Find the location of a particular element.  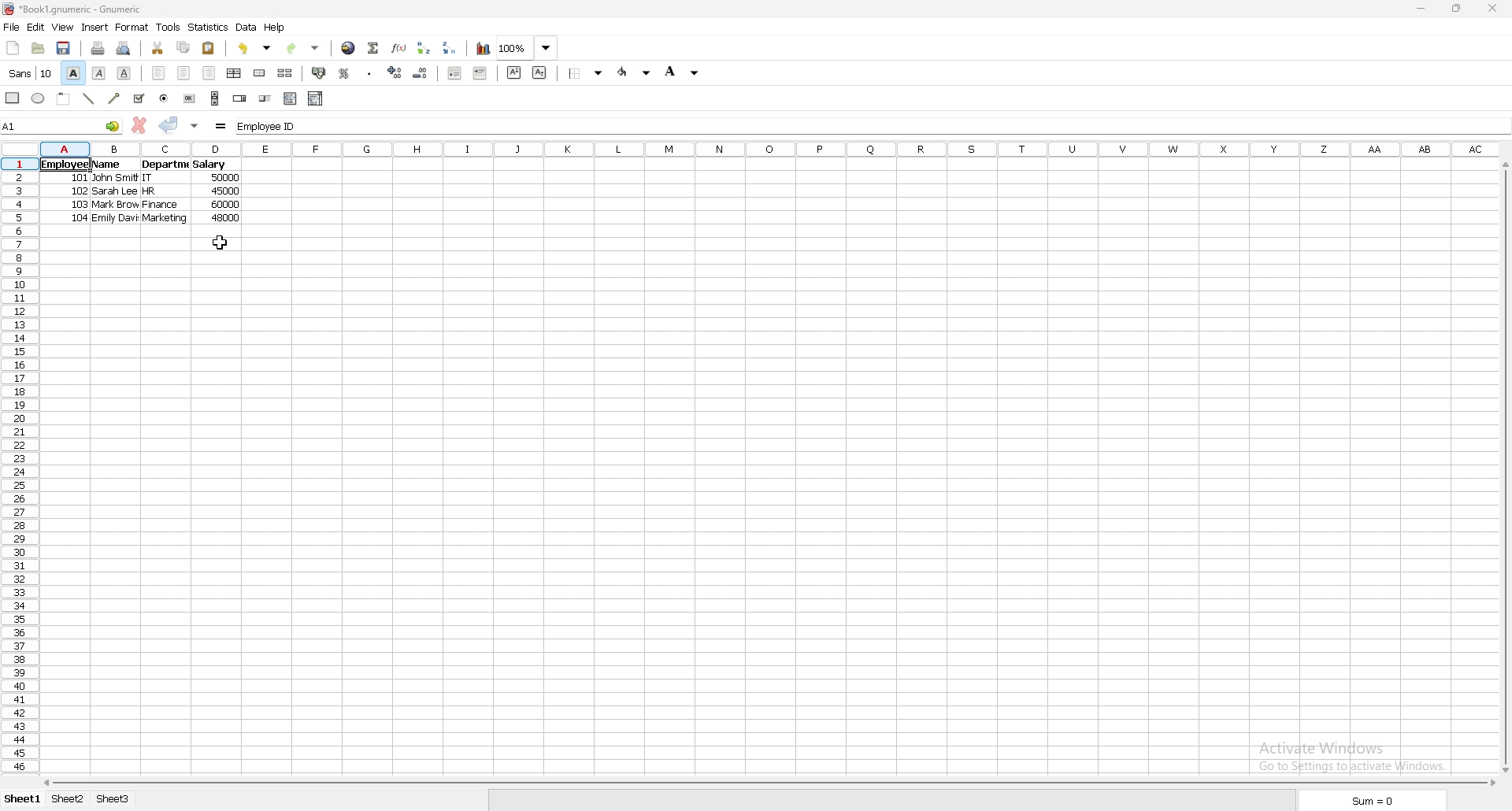

view is located at coordinates (62, 27).